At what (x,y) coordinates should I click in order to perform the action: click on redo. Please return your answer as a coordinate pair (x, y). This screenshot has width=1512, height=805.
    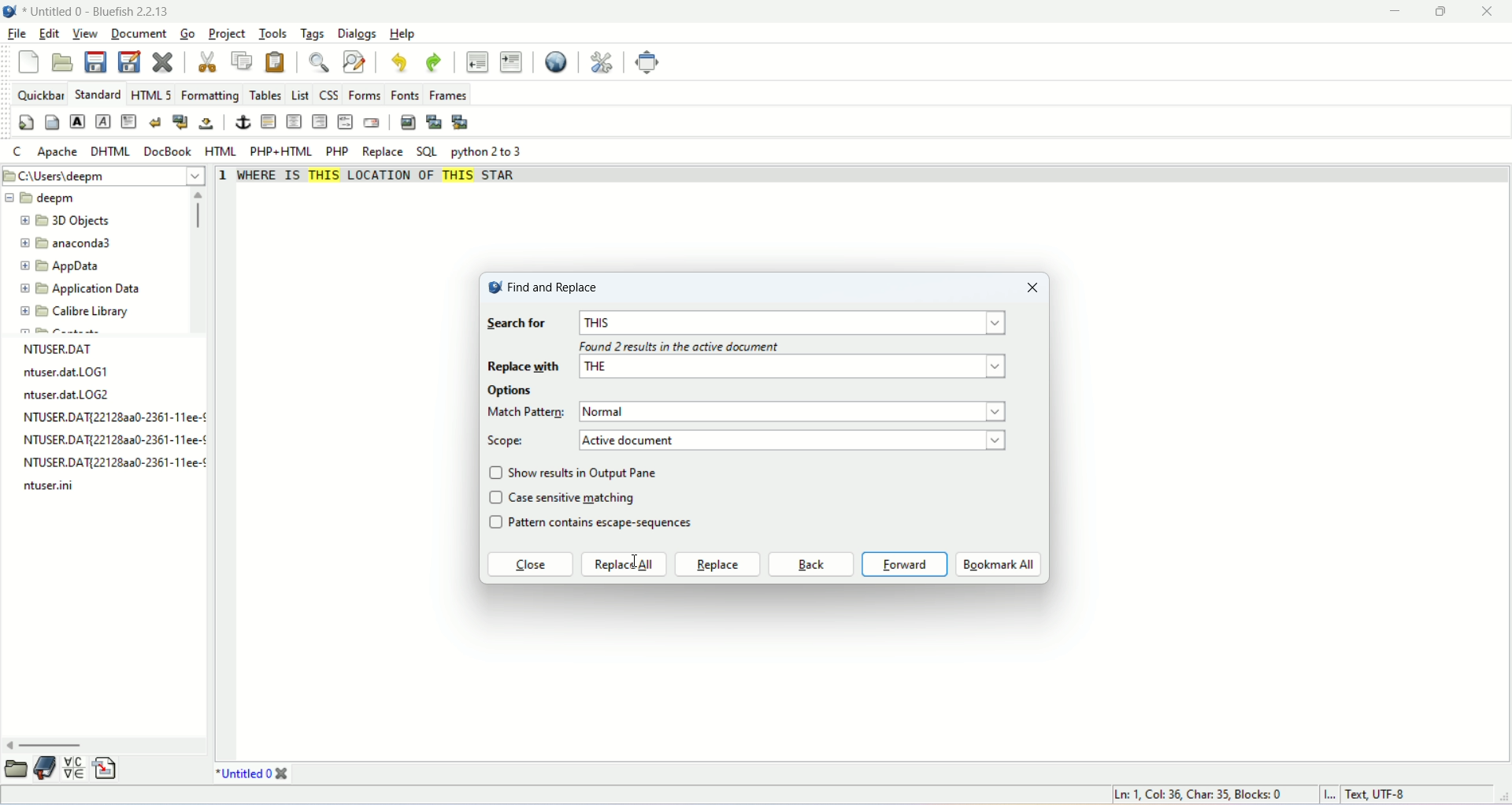
    Looking at the image, I should click on (434, 63).